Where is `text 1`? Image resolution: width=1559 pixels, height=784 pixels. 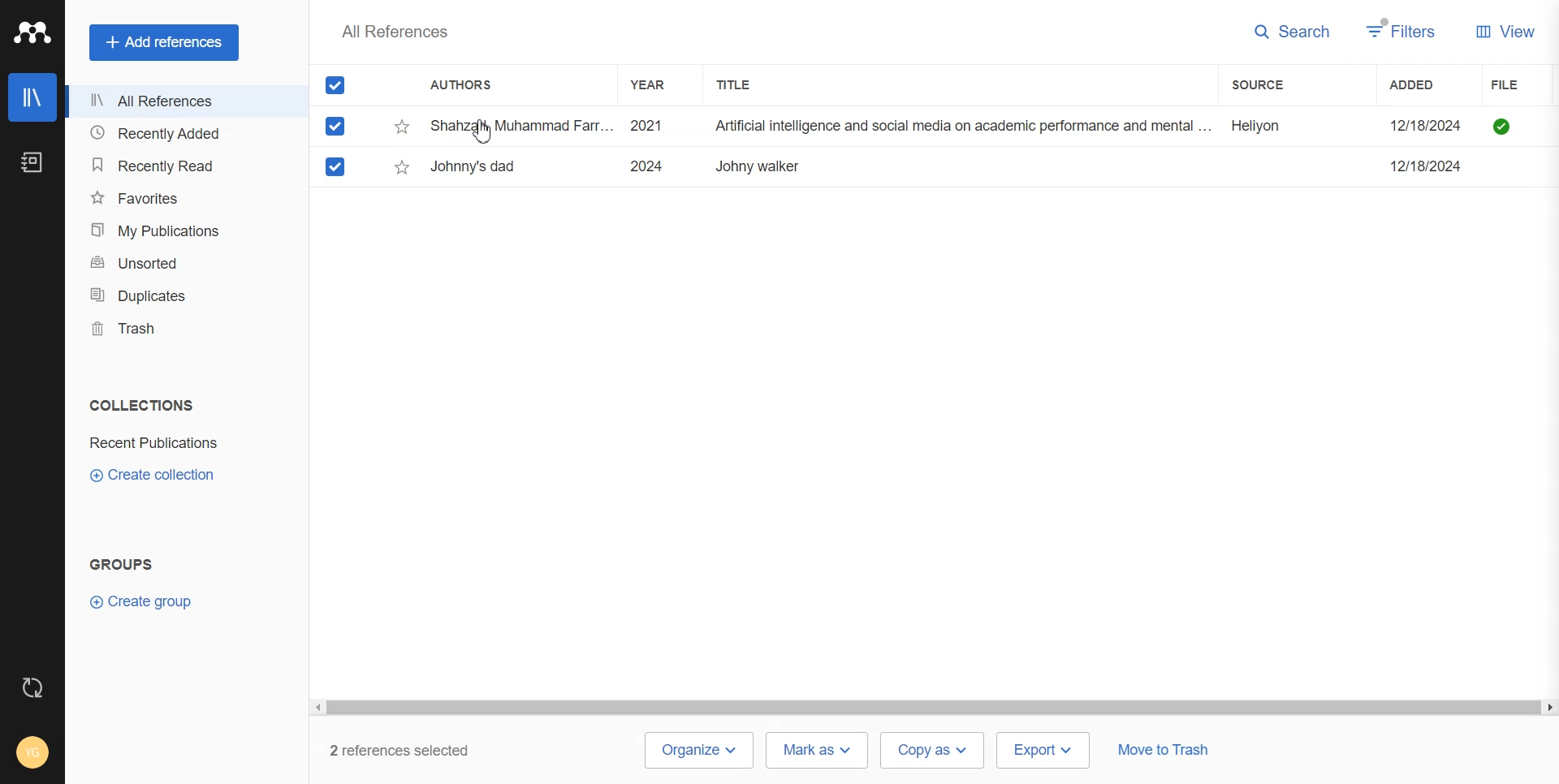 text 1 is located at coordinates (138, 405).